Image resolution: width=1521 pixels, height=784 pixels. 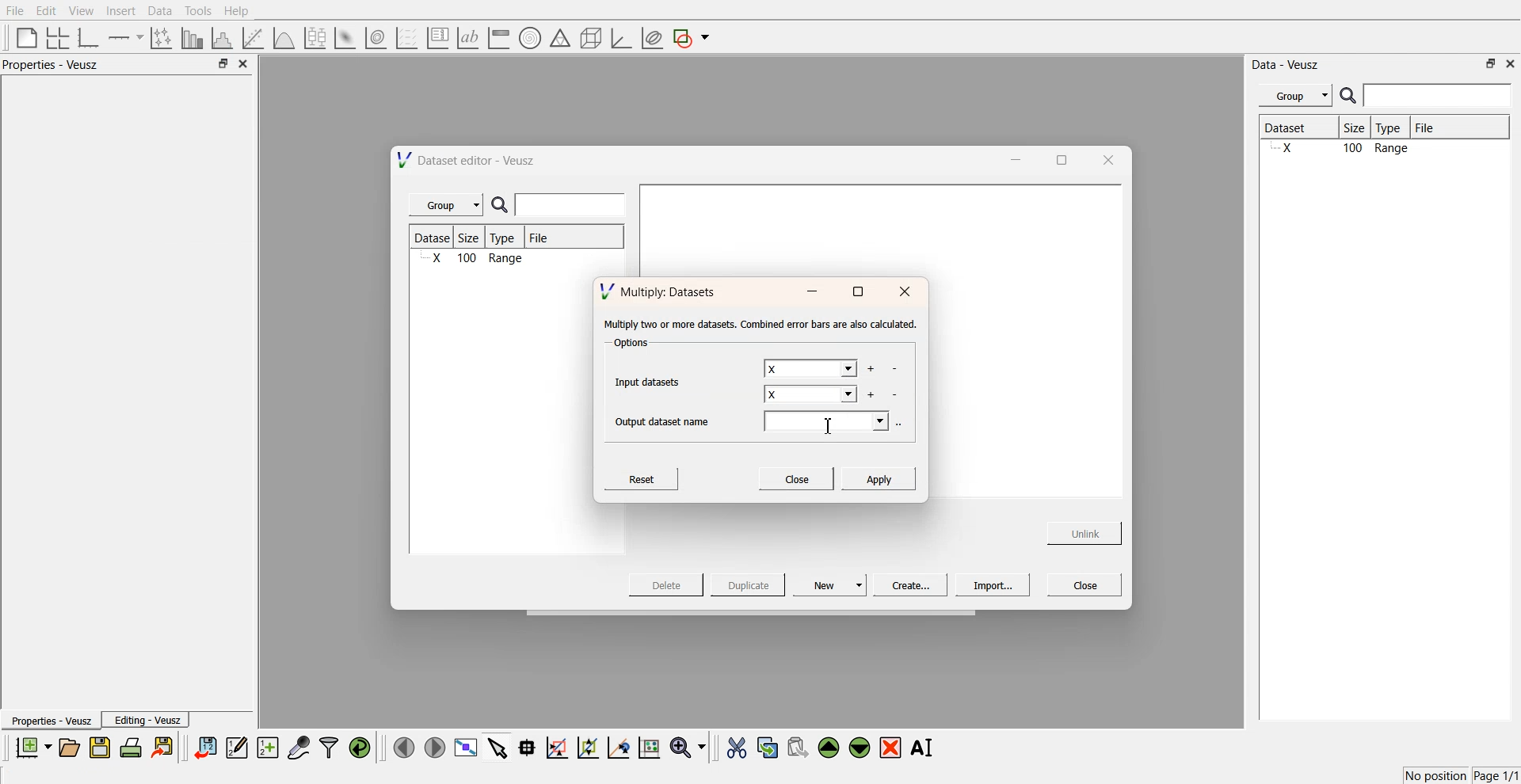 I want to click on Close., so click(x=795, y=478).